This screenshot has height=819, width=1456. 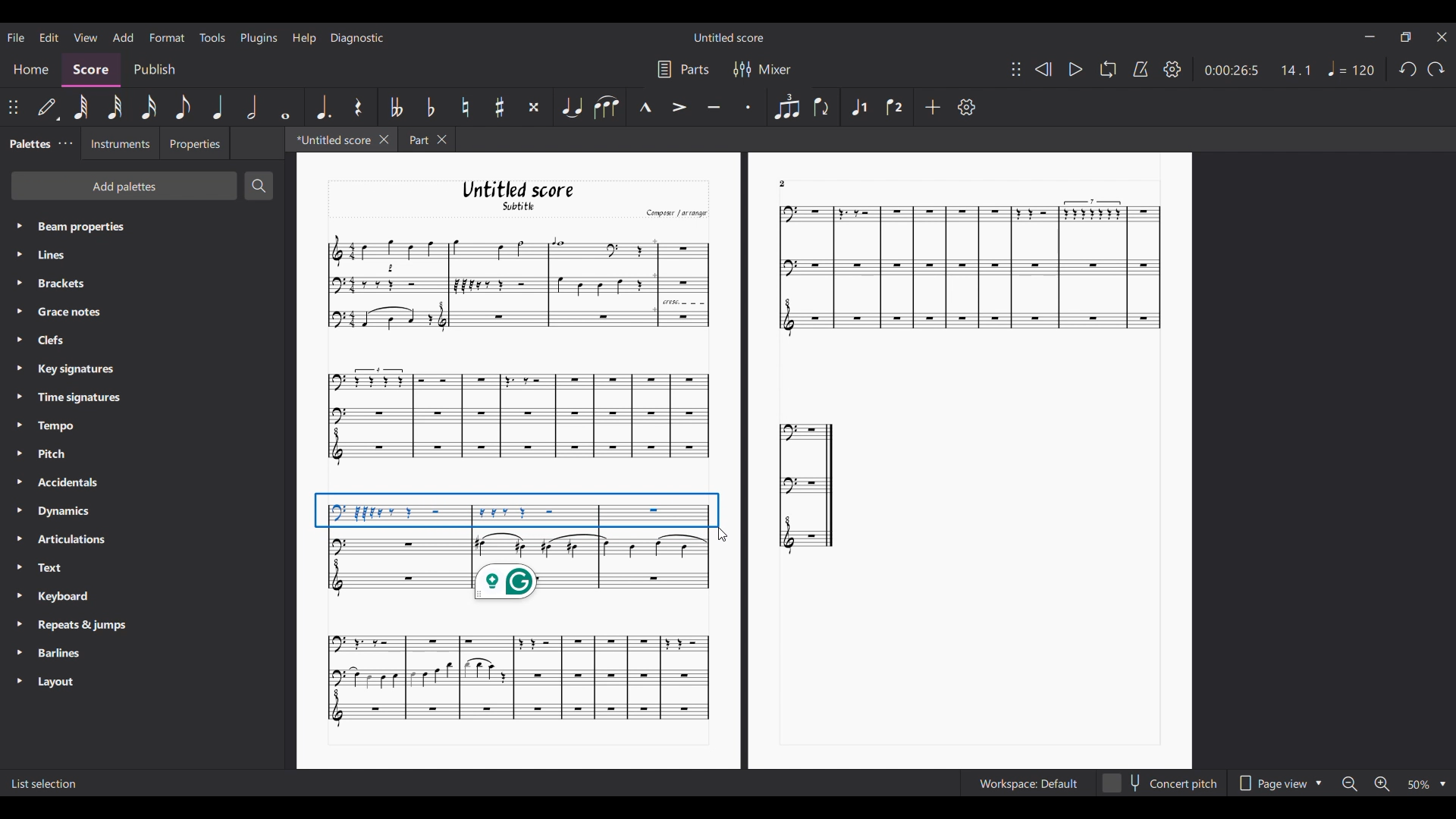 I want to click on Toggle natural, so click(x=465, y=107).